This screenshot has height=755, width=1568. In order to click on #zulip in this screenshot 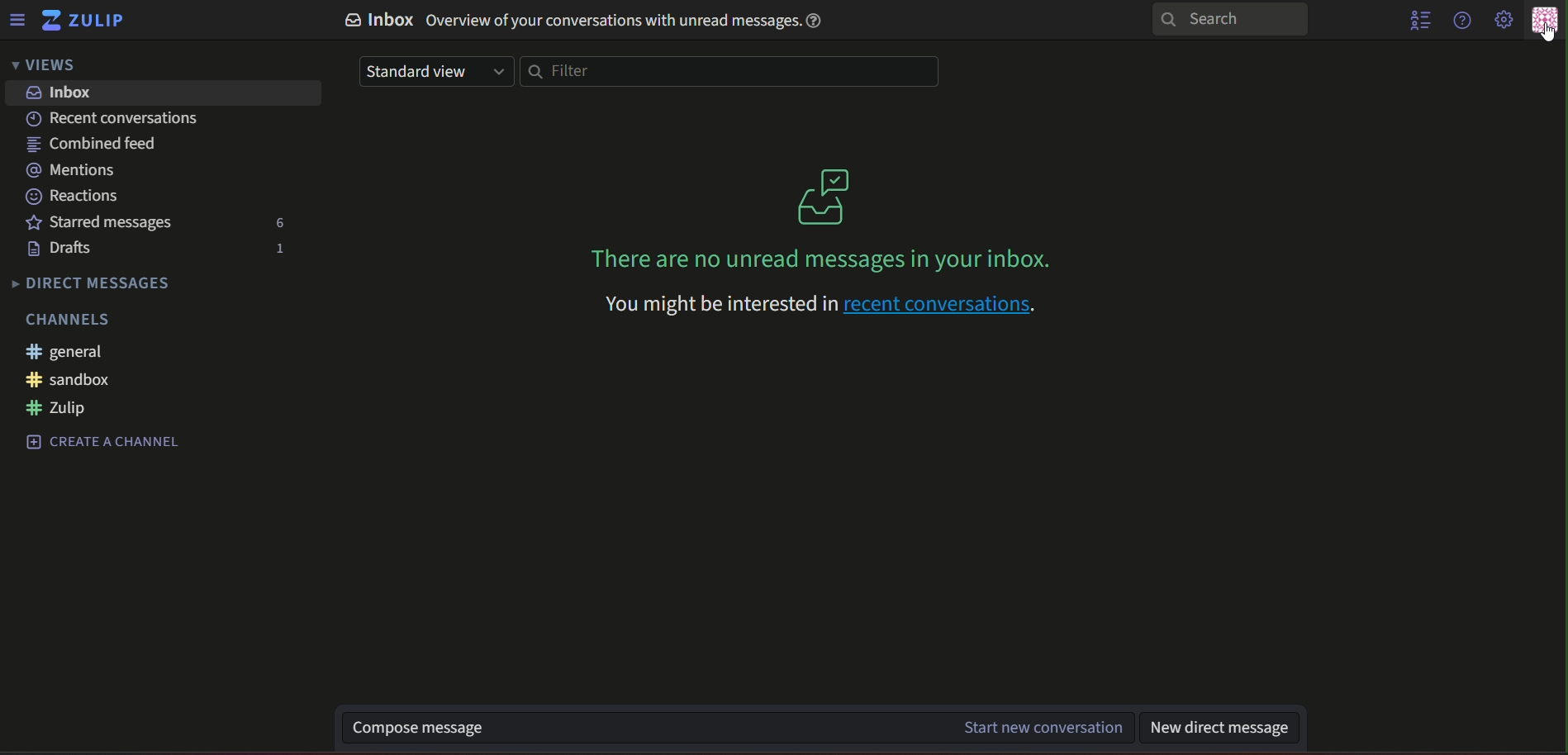, I will do `click(64, 408)`.